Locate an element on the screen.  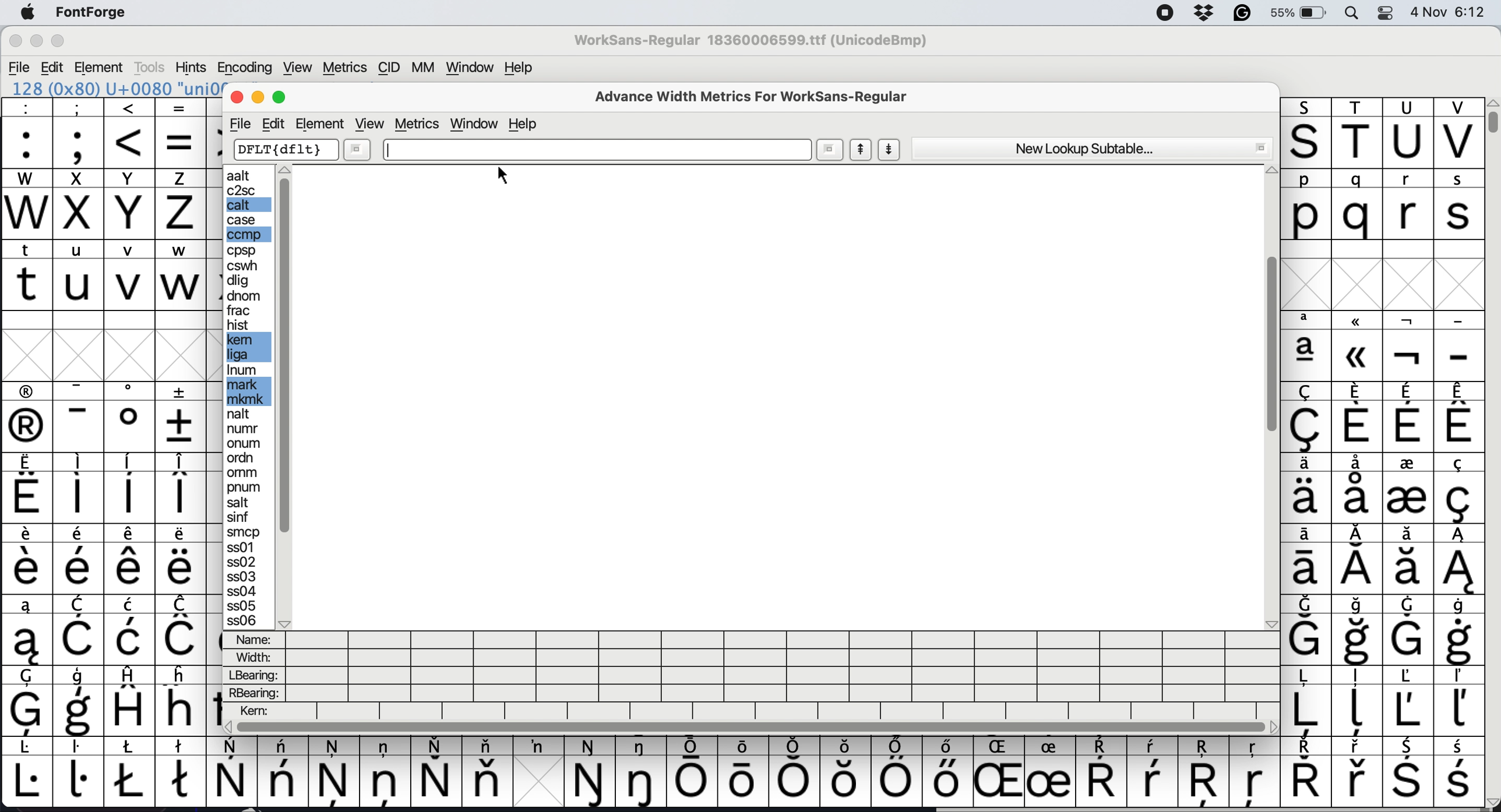
4 Nov 6:12 is located at coordinates (1446, 15).